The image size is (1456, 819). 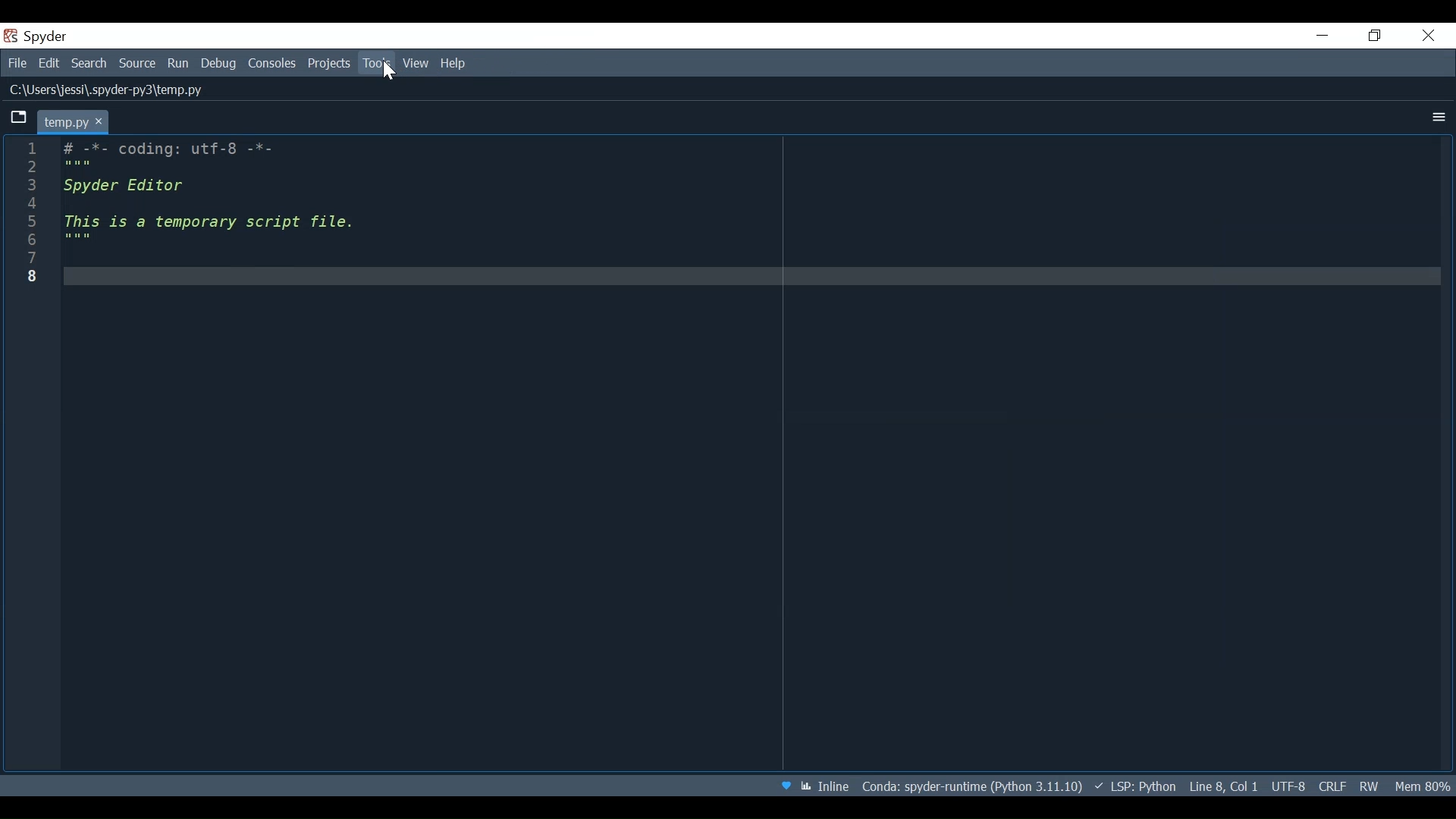 I want to click on Toggle inline and interactive Matplotlib plotting, so click(x=836, y=786).